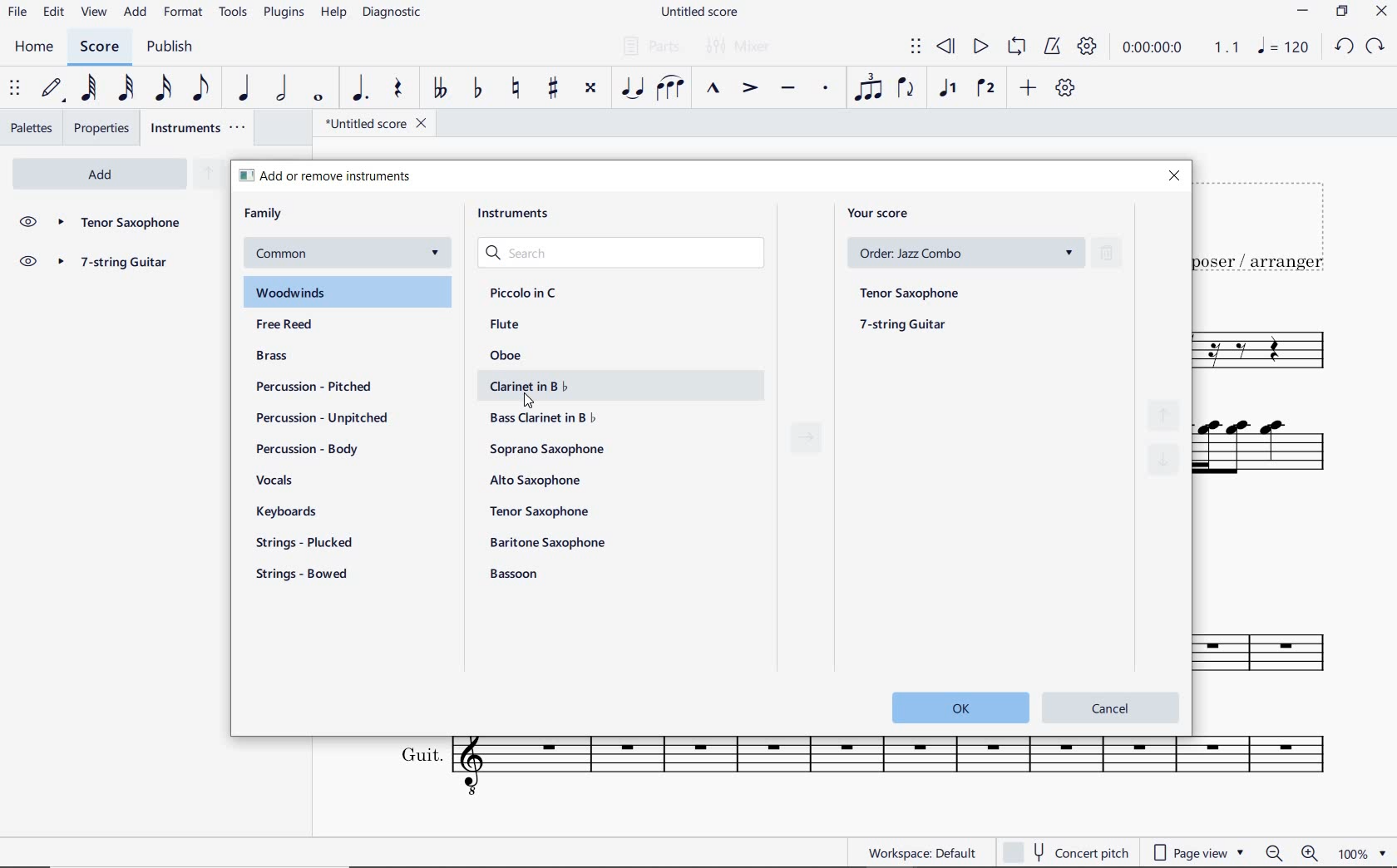  What do you see at coordinates (516, 574) in the screenshot?
I see `basson` at bounding box center [516, 574].